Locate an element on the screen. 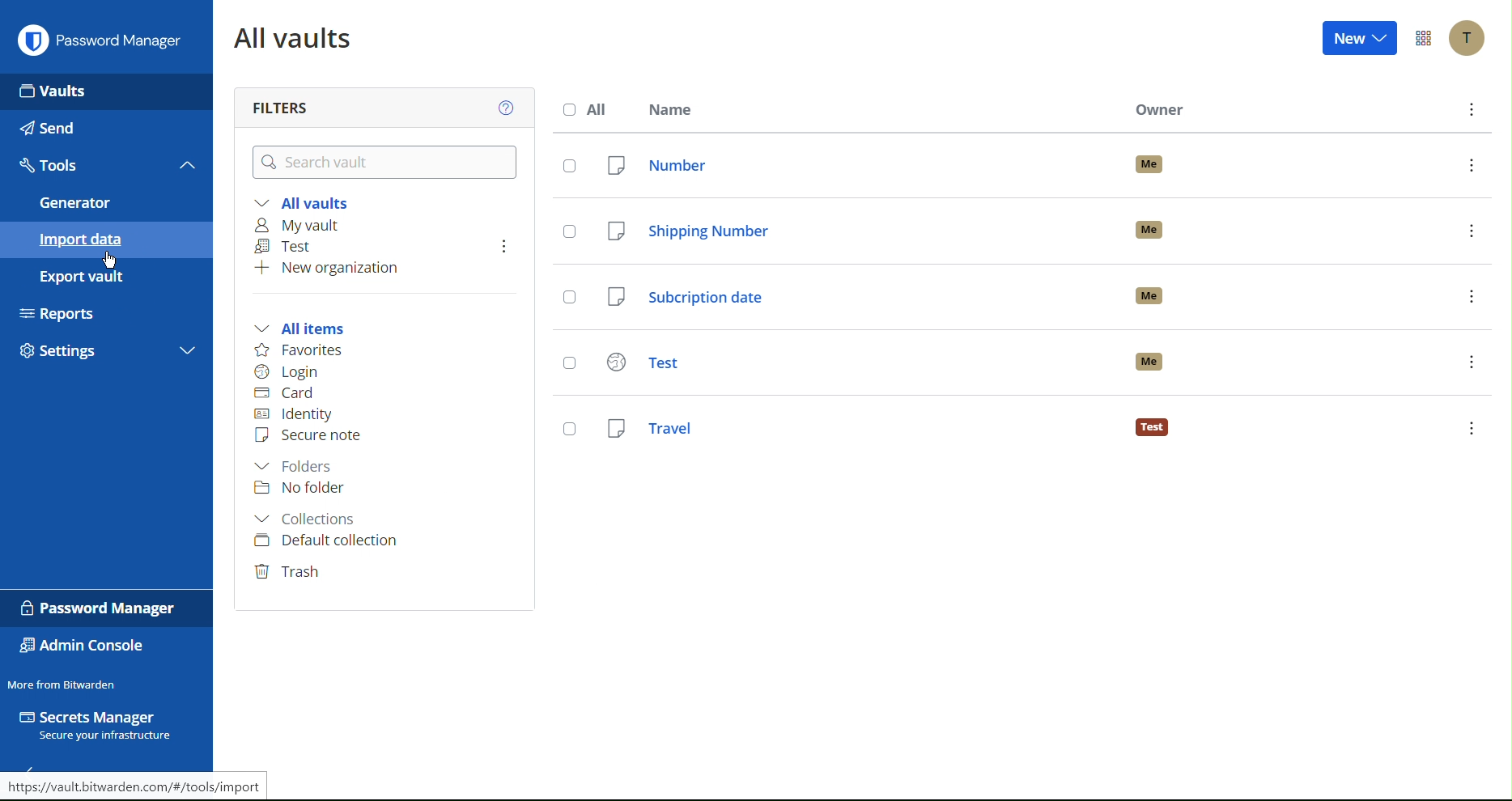 This screenshot has width=1512, height=801. Password Manager is located at coordinates (100, 608).